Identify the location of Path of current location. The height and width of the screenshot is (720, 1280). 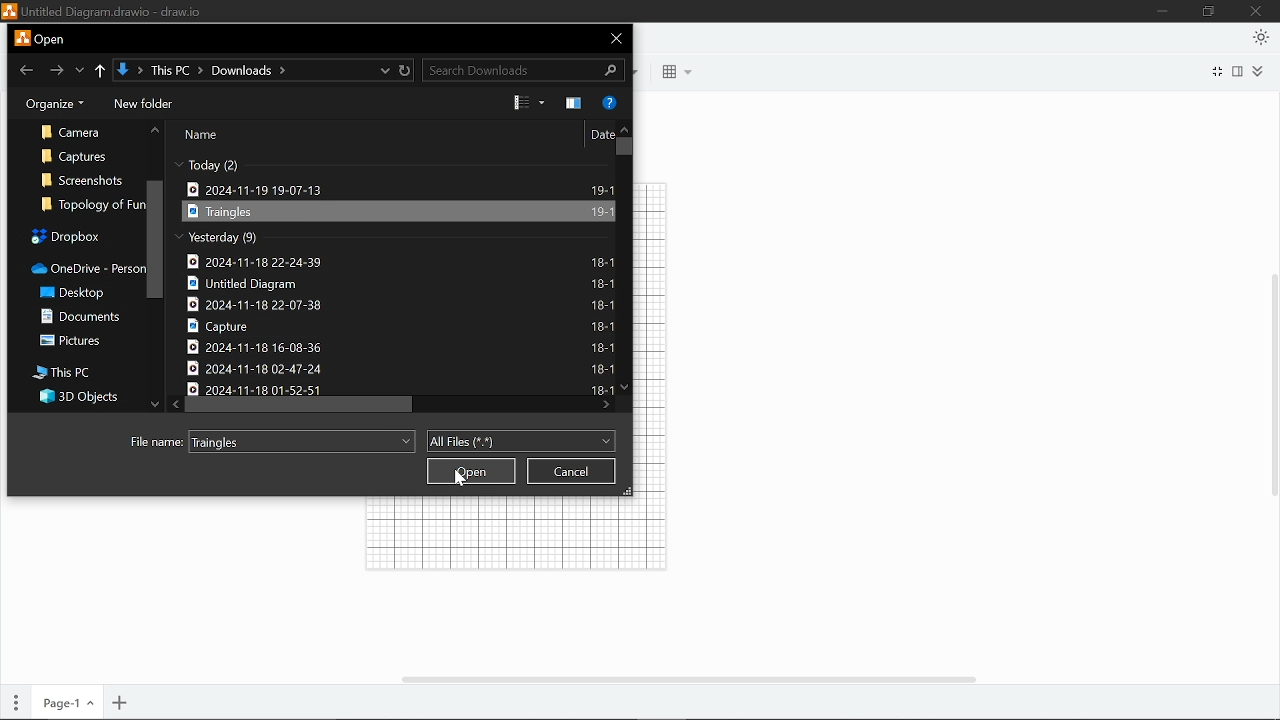
(243, 71).